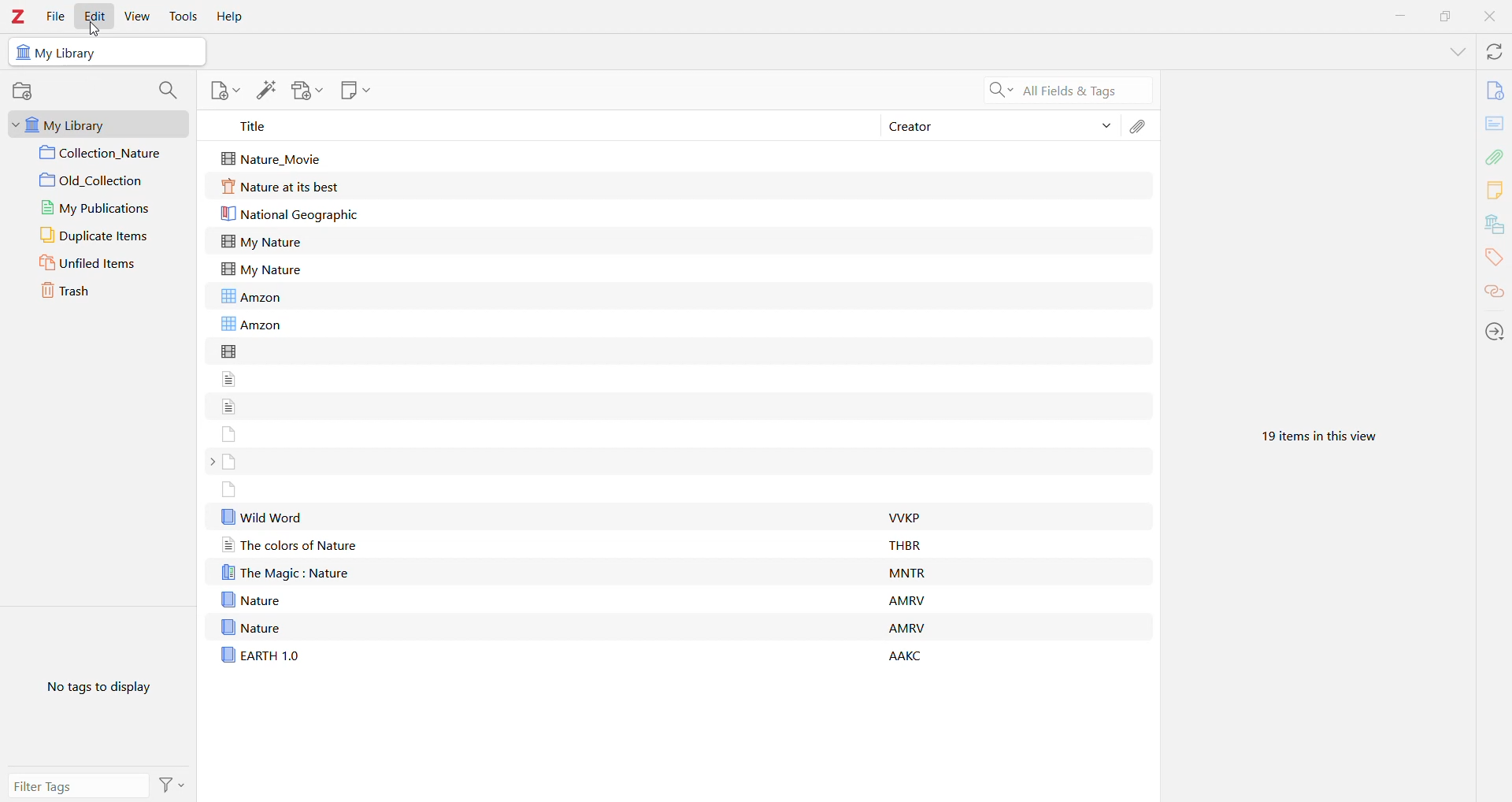 This screenshot has height=802, width=1512. What do you see at coordinates (20, 16) in the screenshot?
I see `Zotero` at bounding box center [20, 16].